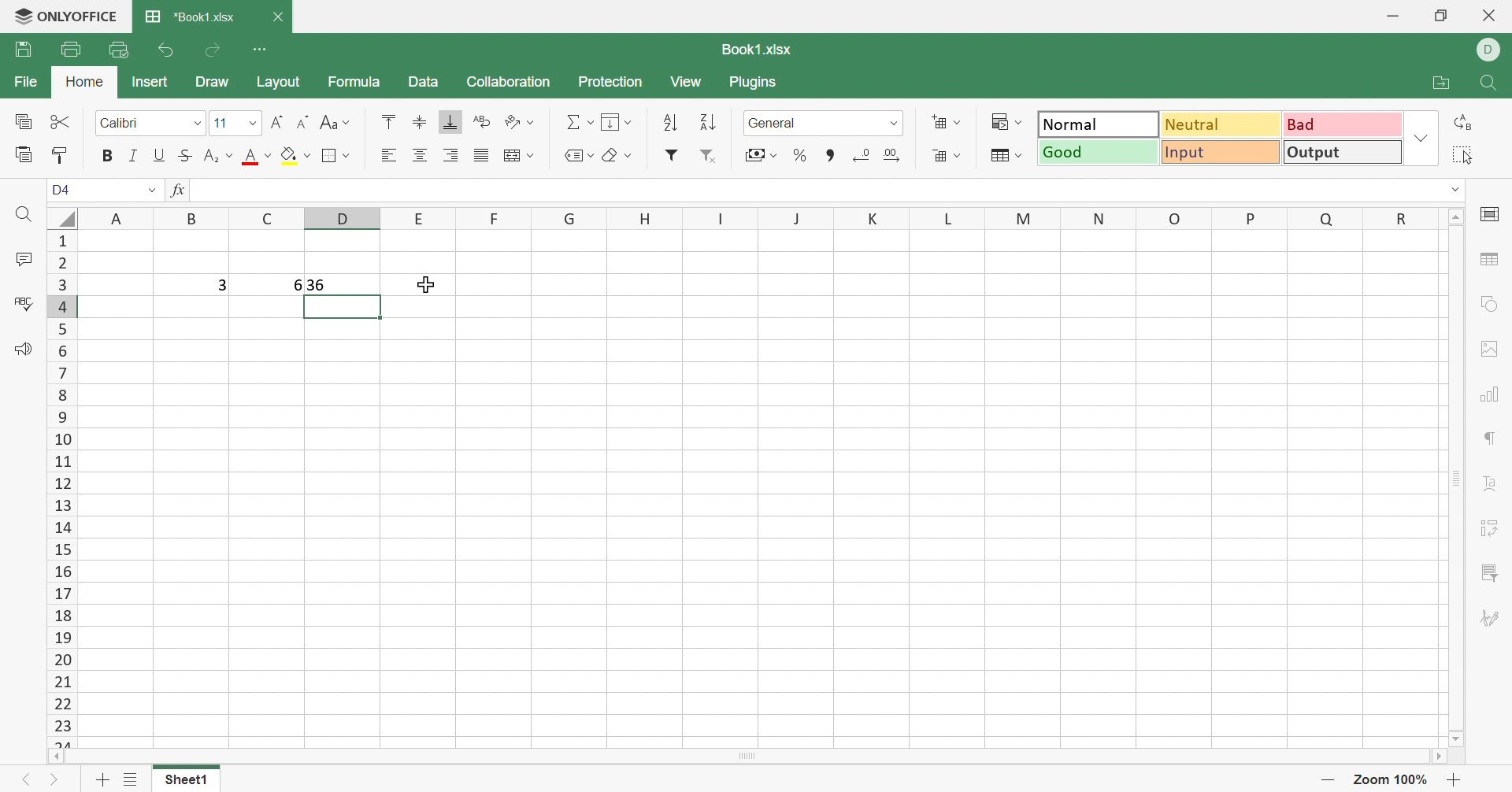  Describe the element at coordinates (354, 81) in the screenshot. I see `Formula` at that location.